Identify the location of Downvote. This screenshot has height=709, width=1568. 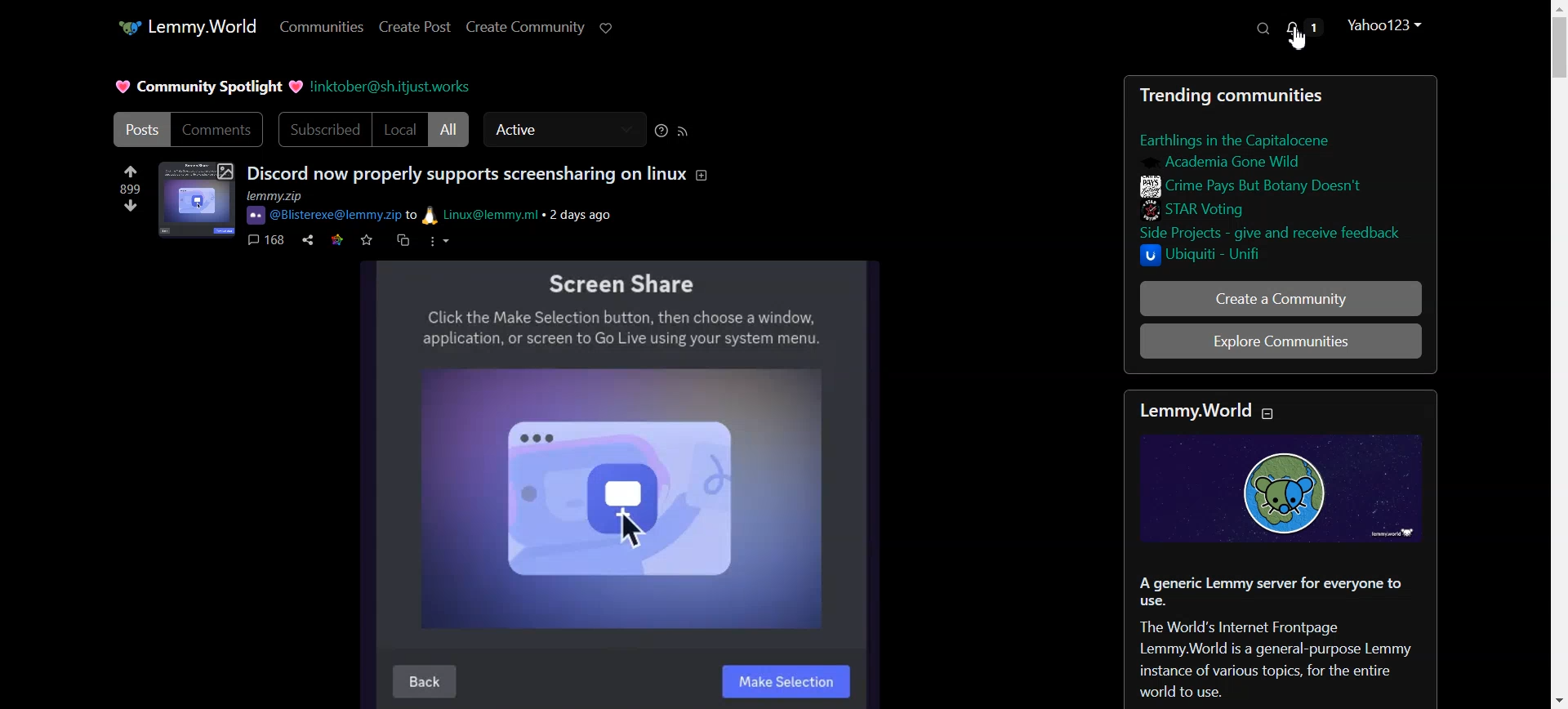
(131, 206).